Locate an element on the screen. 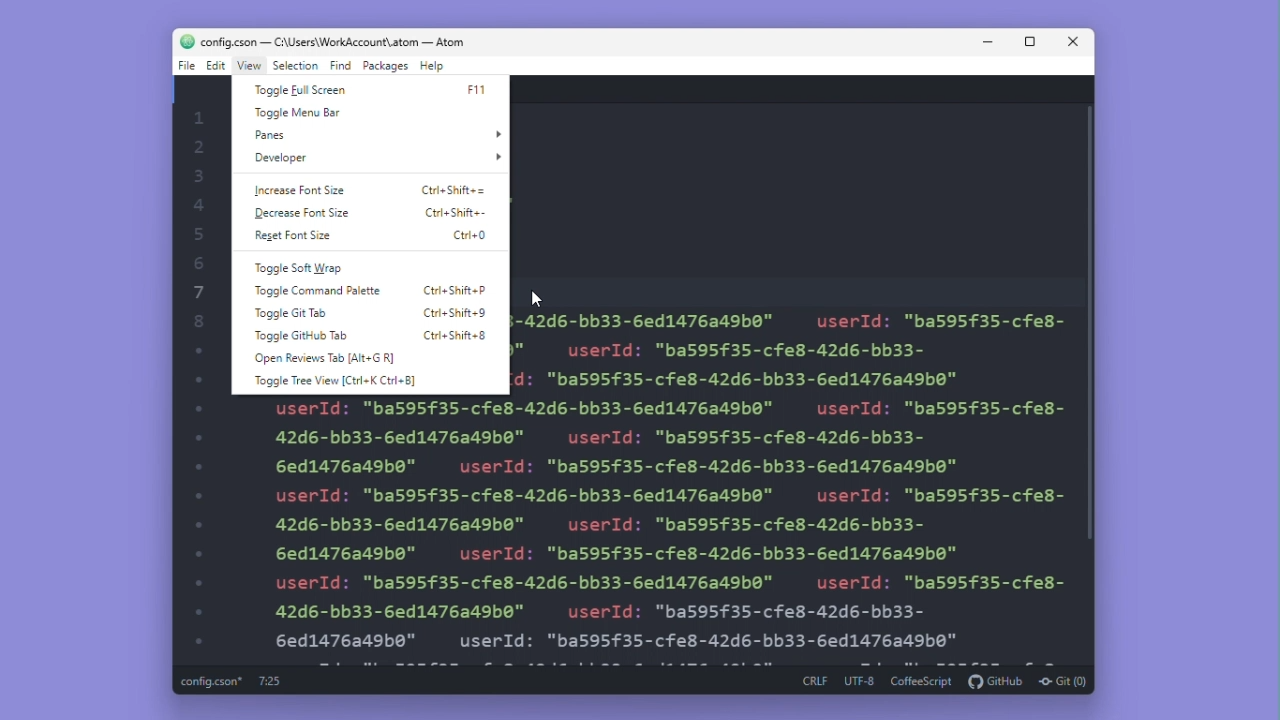 The height and width of the screenshot is (720, 1280). toggle full screen is located at coordinates (306, 89).